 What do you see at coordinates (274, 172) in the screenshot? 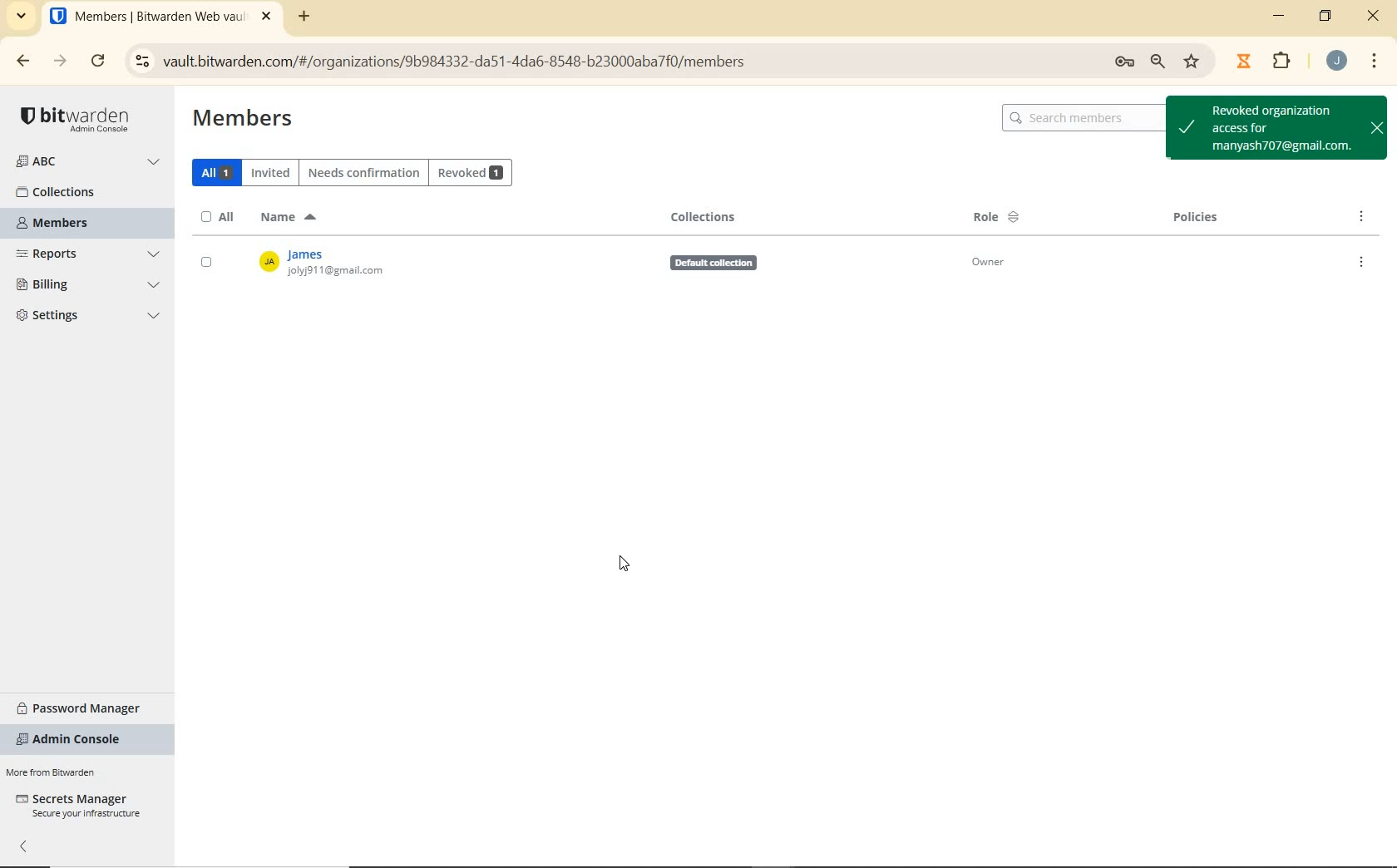
I see `INVITED` at bounding box center [274, 172].